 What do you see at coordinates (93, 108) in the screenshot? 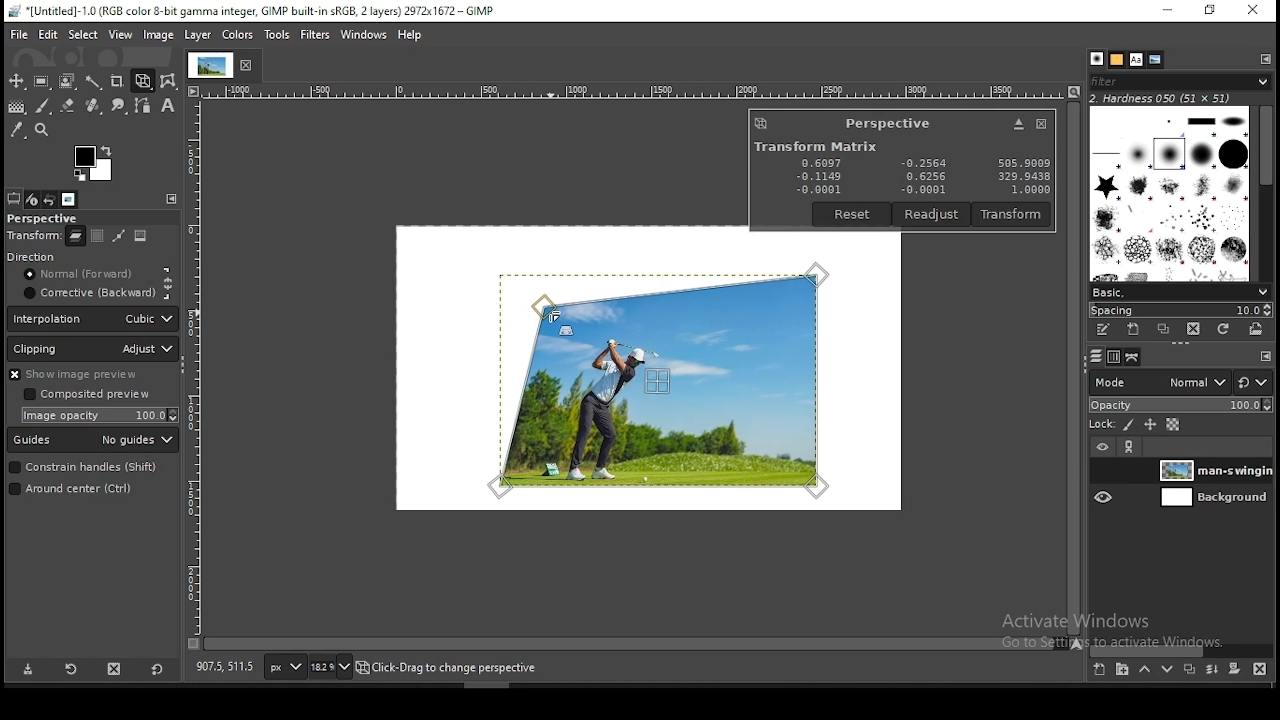
I see `heal tool` at bounding box center [93, 108].